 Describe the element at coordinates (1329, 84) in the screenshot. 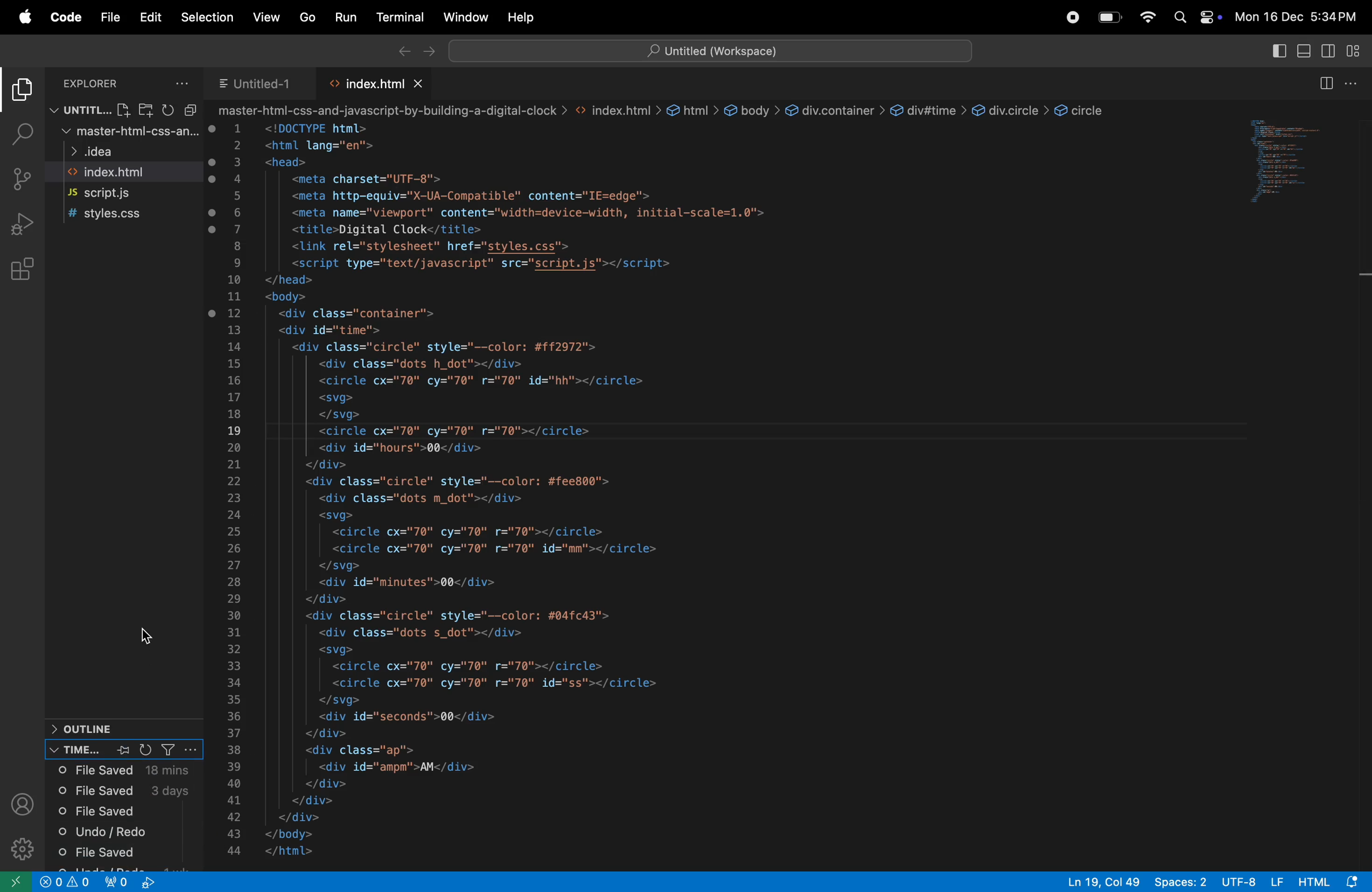

I see `split editor` at that location.